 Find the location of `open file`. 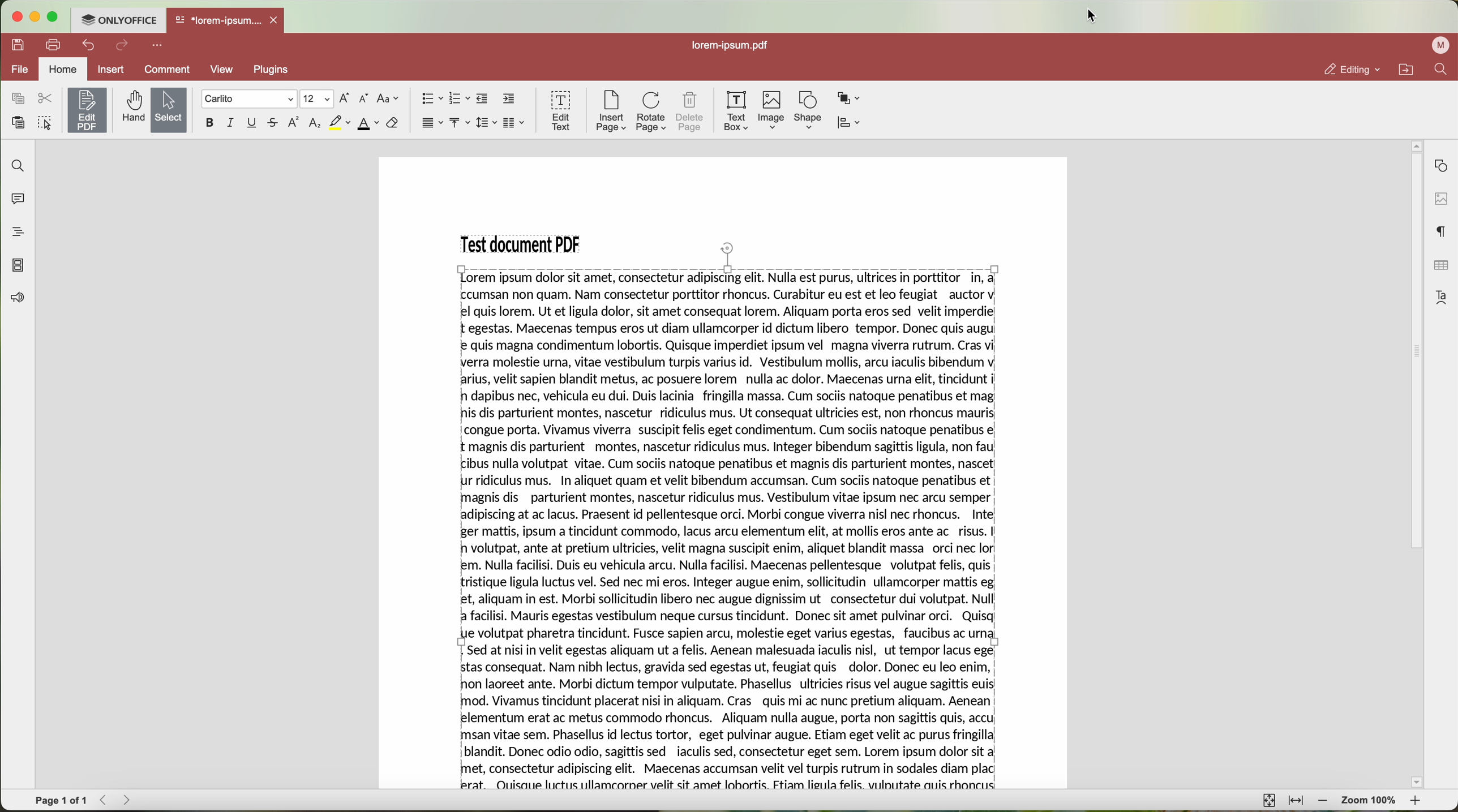

open file is located at coordinates (226, 22).